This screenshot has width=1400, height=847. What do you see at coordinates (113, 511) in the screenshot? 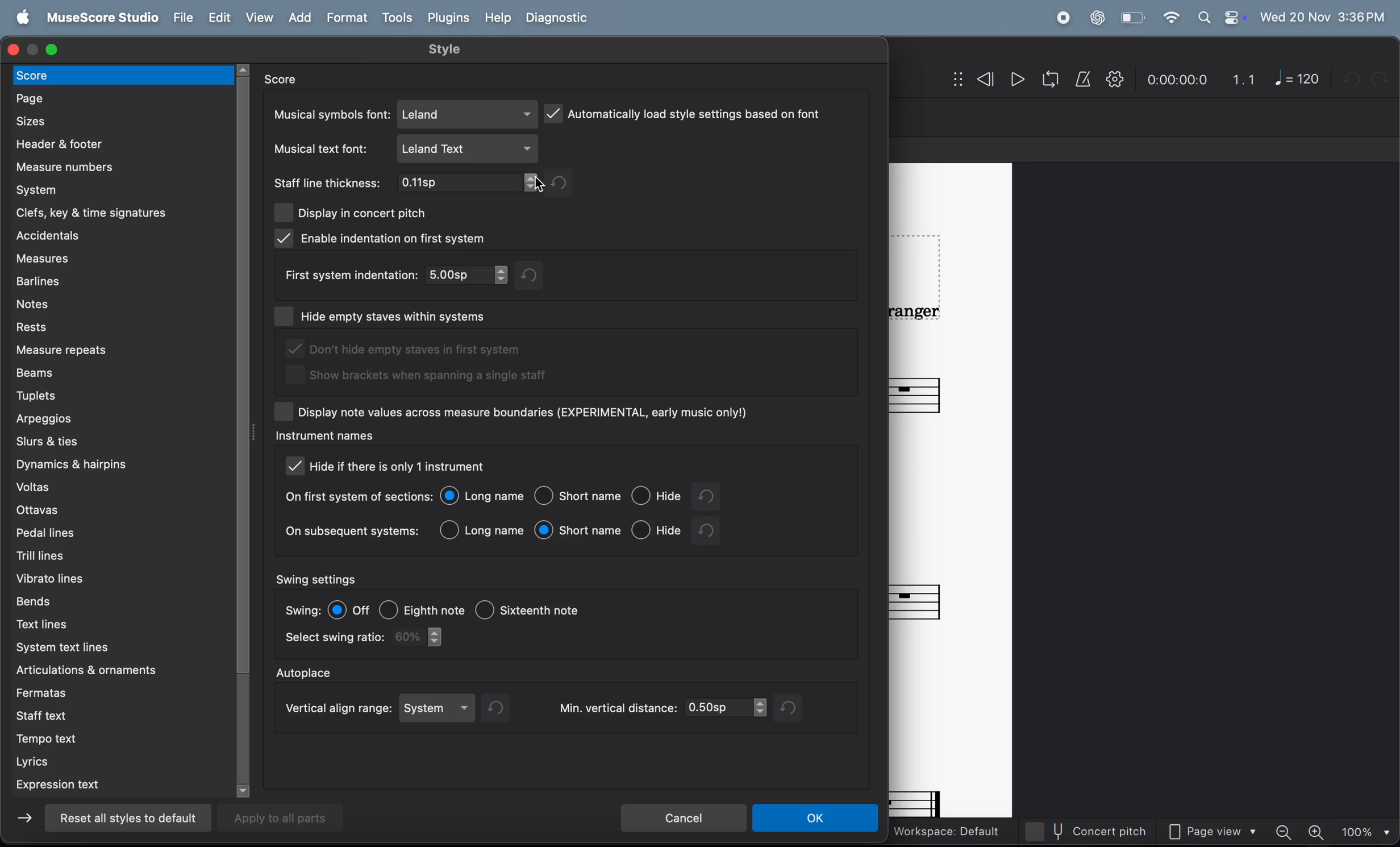
I see `ottavas` at bounding box center [113, 511].